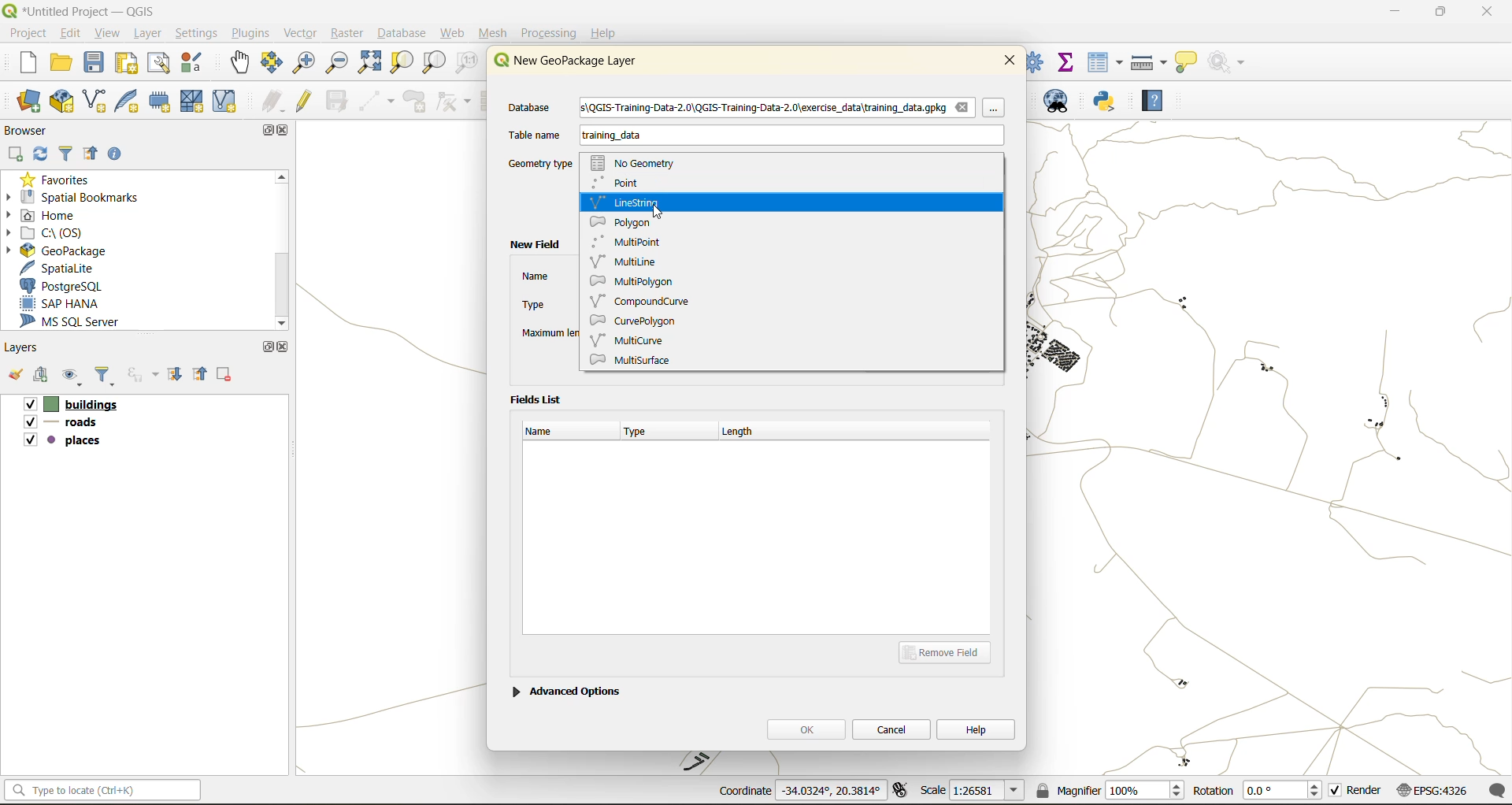  I want to click on add, so click(43, 377).